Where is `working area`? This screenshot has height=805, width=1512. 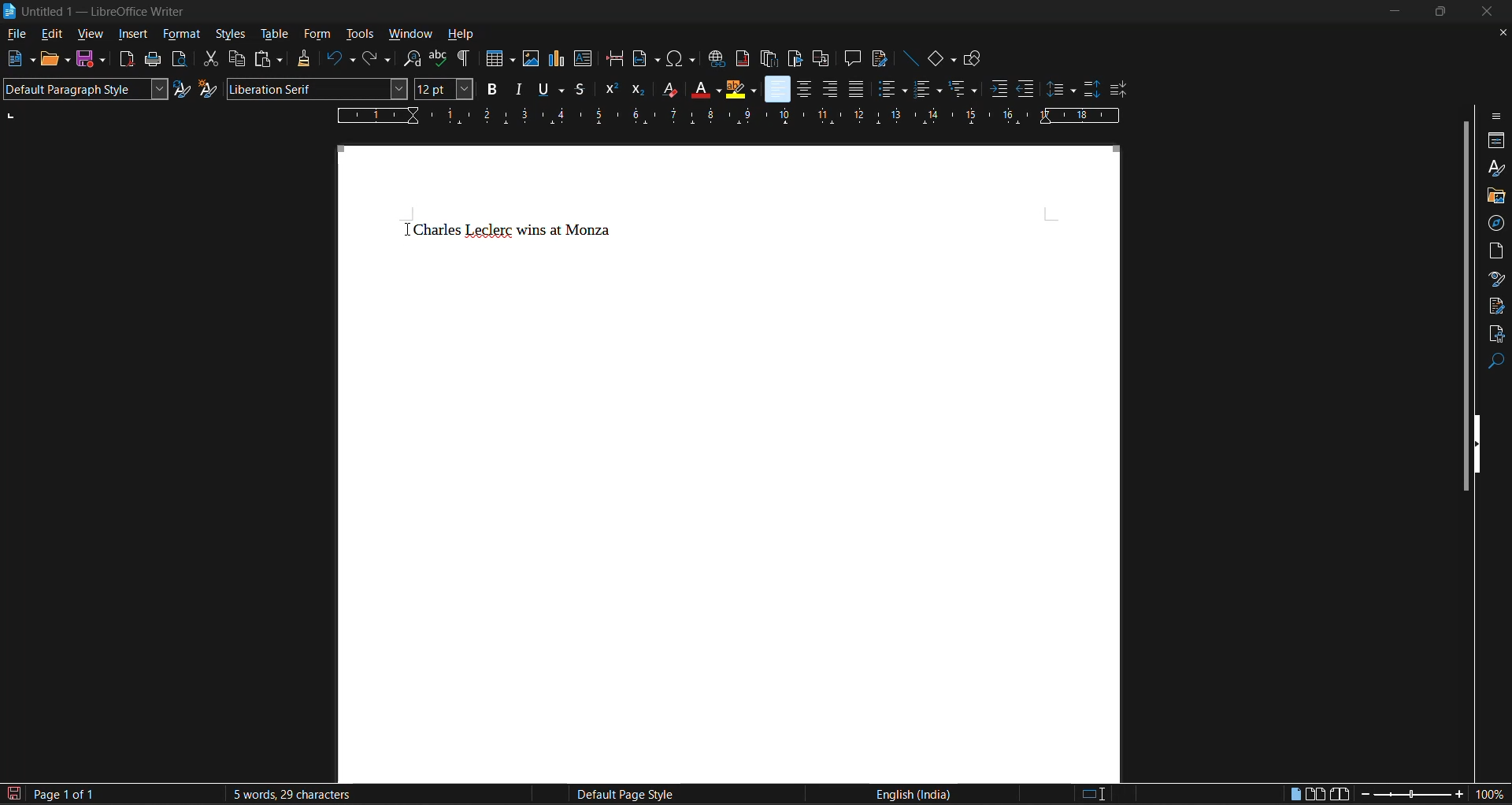
working area is located at coordinates (731, 463).